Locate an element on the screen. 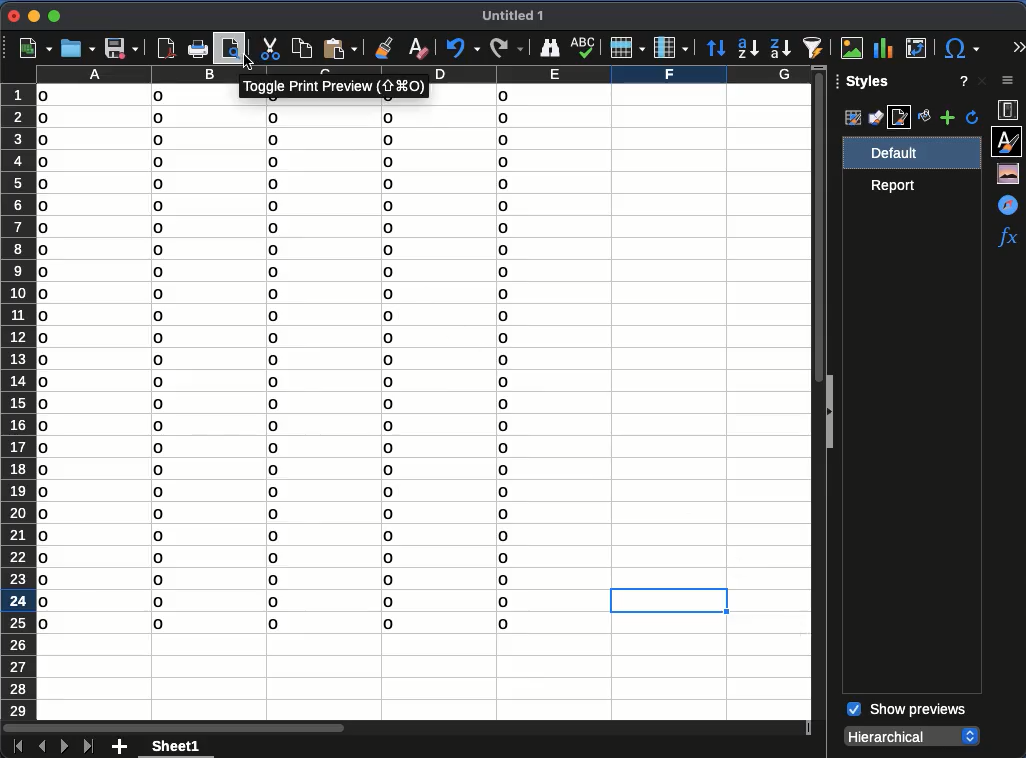 This screenshot has height=758, width=1026. close is located at coordinates (982, 81).